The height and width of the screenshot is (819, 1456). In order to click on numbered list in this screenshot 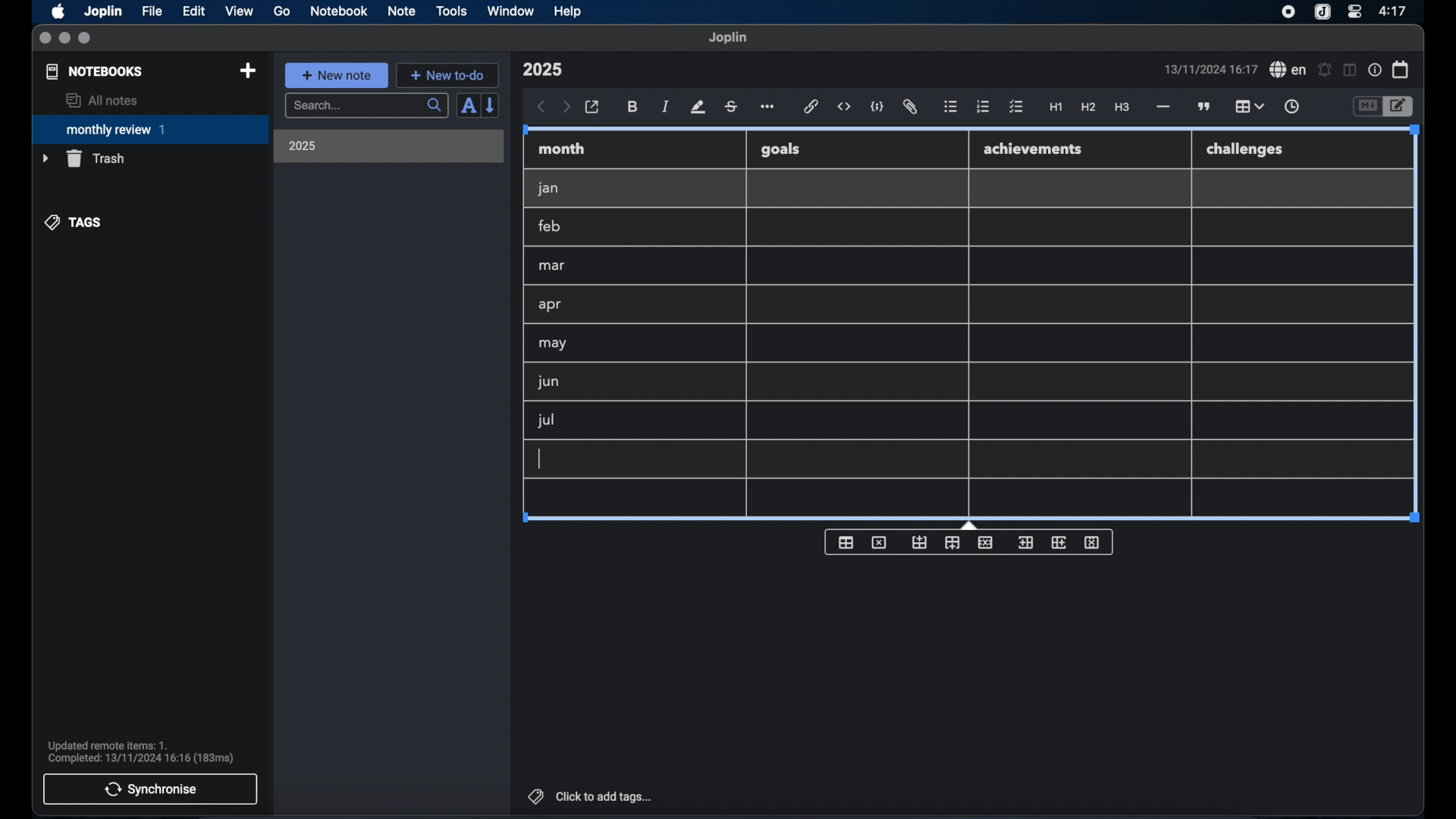, I will do `click(983, 106)`.